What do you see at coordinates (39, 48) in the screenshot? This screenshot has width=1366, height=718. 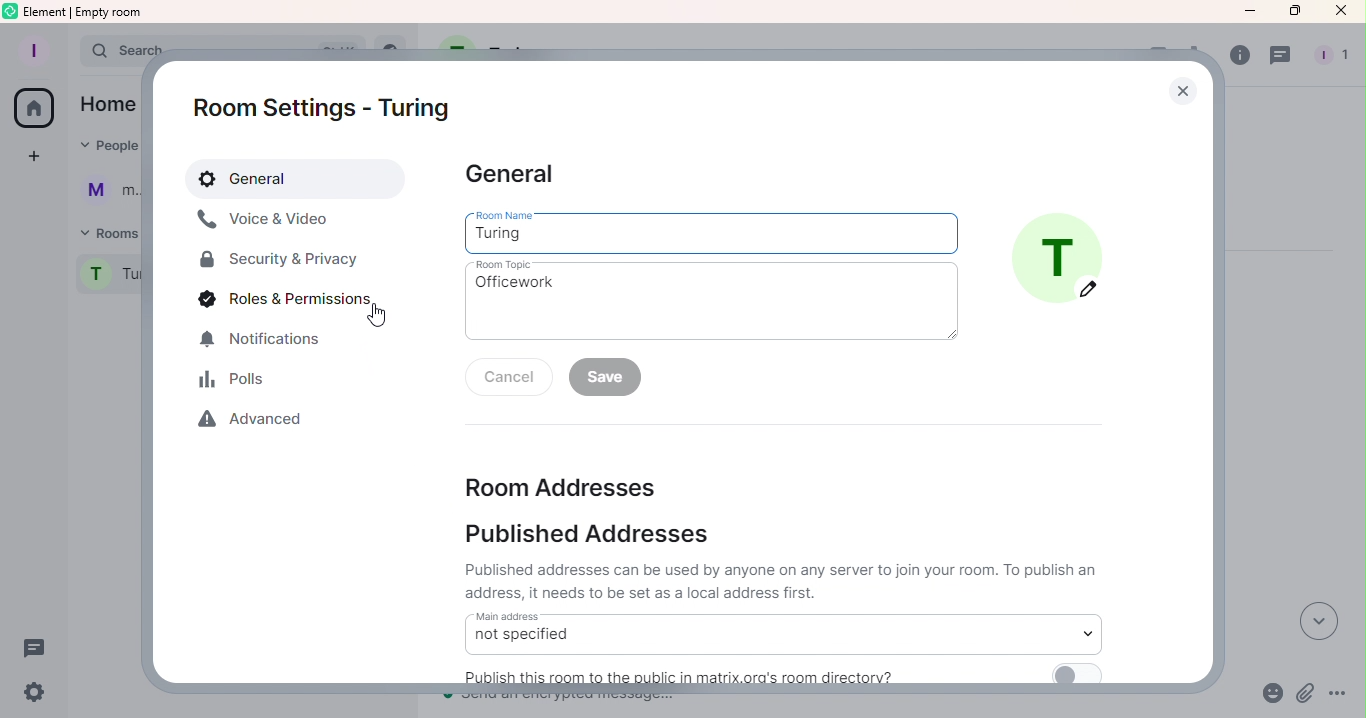 I see `Account` at bounding box center [39, 48].